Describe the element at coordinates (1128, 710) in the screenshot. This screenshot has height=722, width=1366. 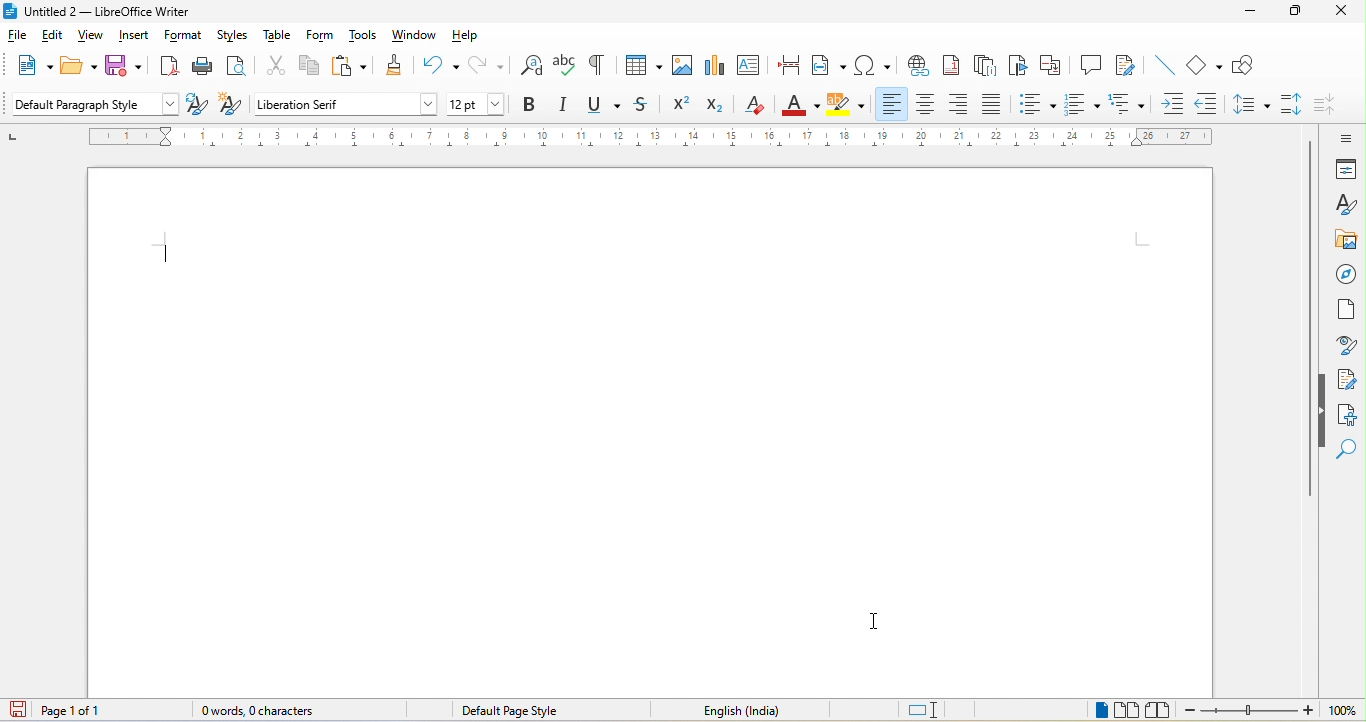
I see `multiple view` at that location.